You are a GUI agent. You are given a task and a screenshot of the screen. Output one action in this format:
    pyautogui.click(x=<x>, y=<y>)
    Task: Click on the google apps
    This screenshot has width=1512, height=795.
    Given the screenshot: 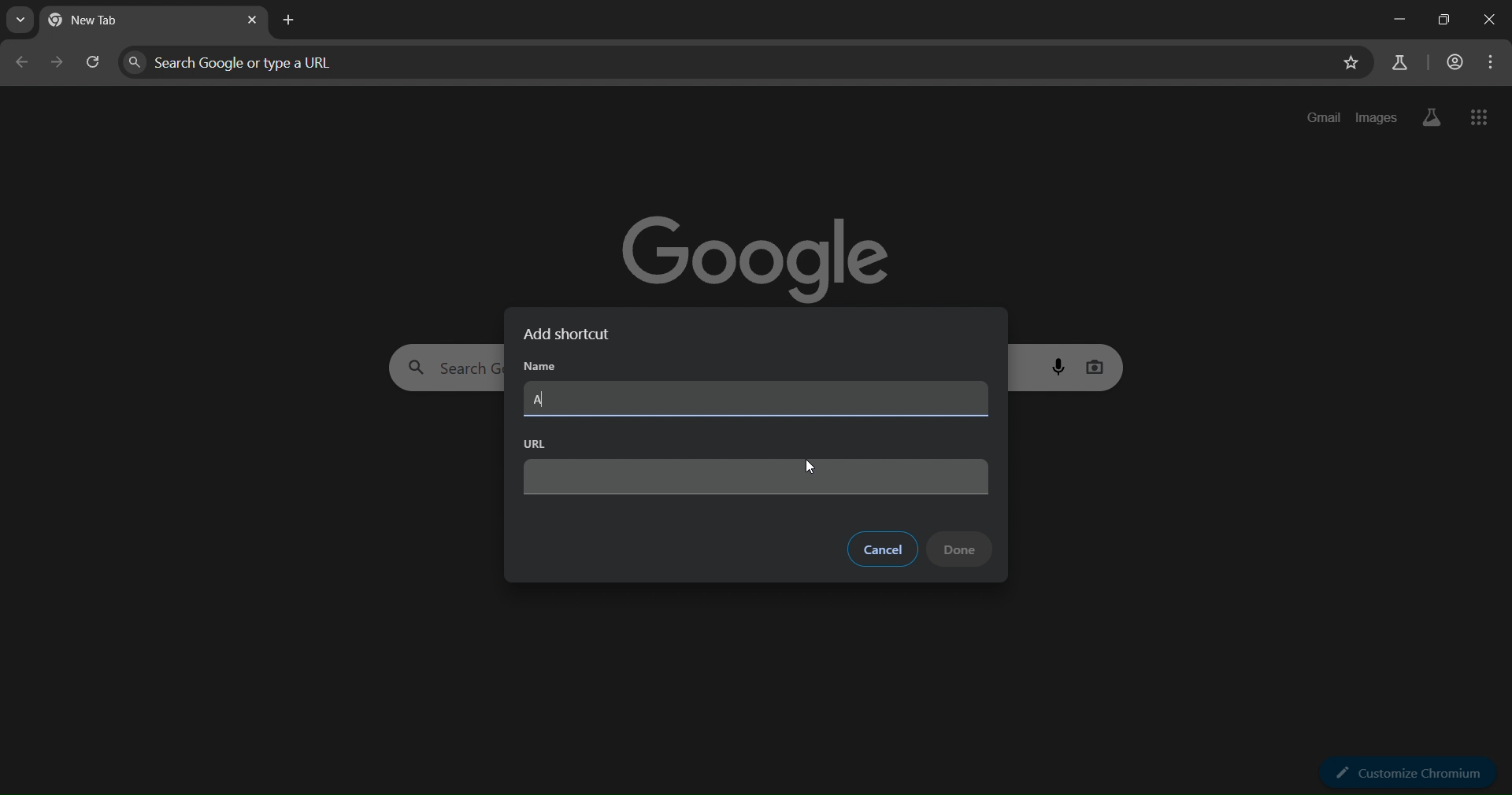 What is the action you would take?
    pyautogui.click(x=1480, y=119)
    